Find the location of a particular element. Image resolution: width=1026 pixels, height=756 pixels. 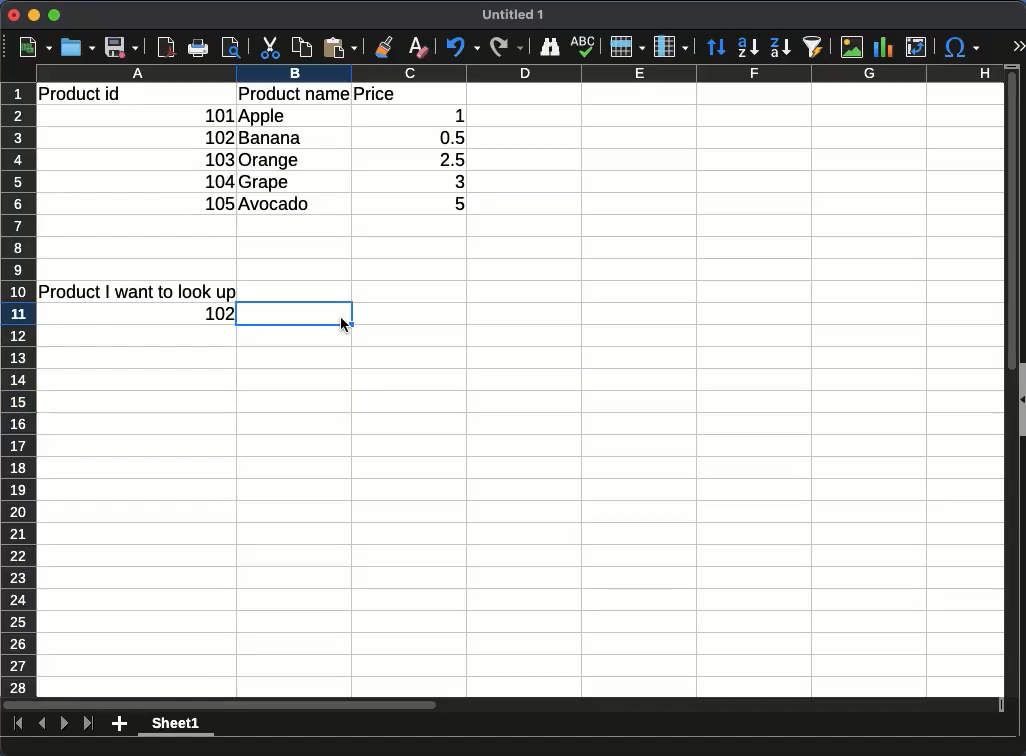

special character is located at coordinates (960, 47).